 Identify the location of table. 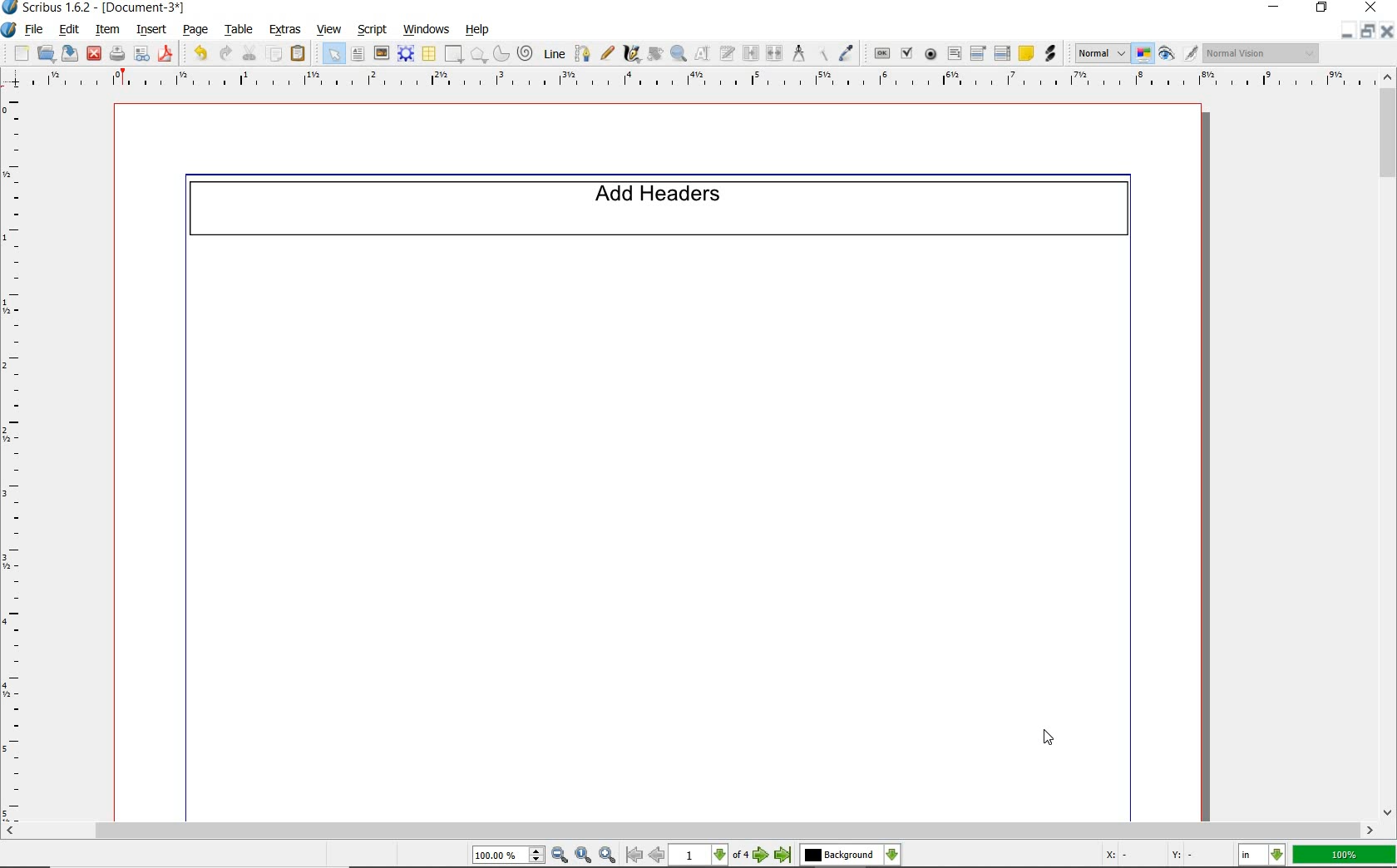
(237, 31).